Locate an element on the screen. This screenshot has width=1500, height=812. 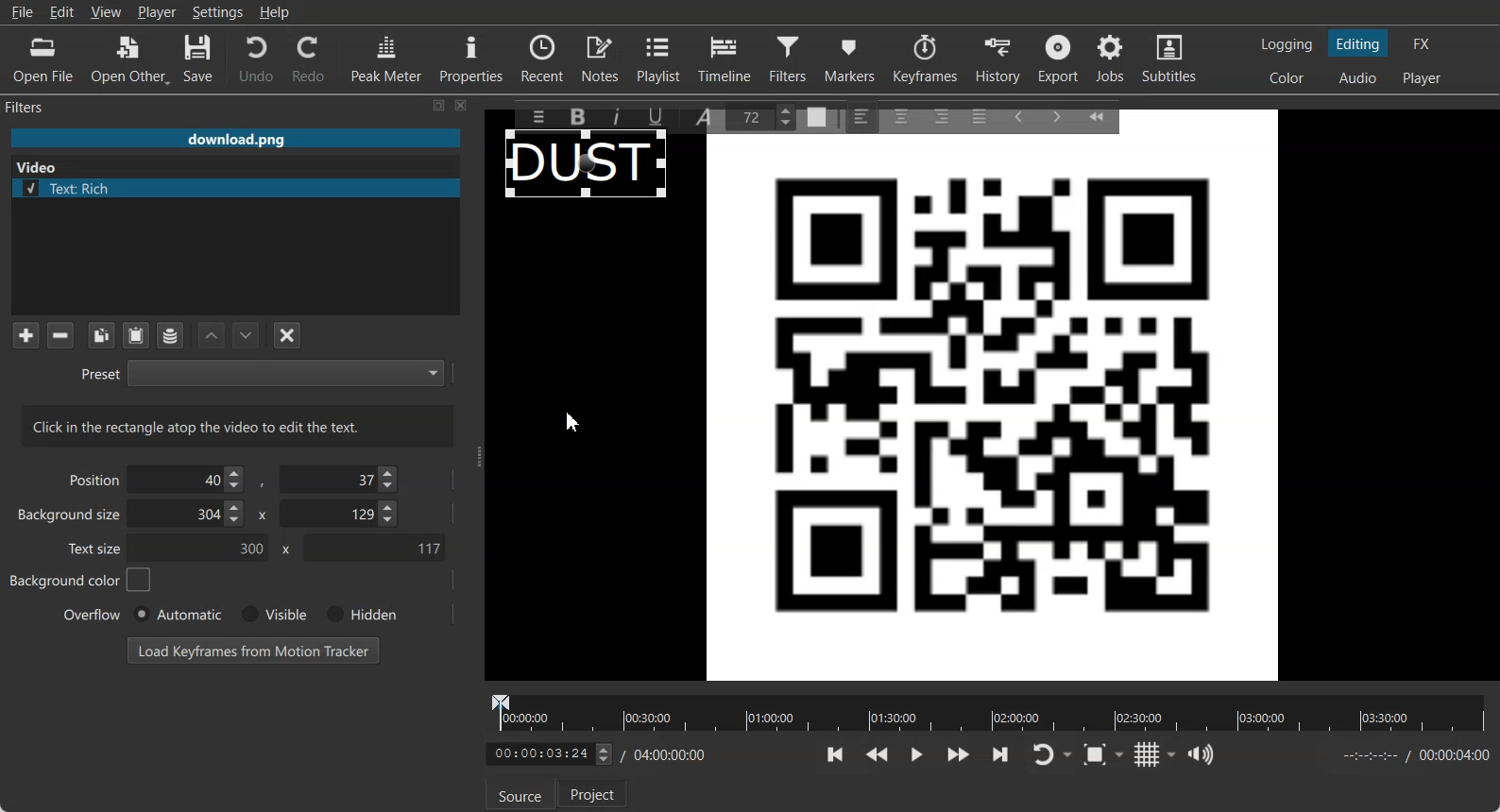
Drop down box is located at coordinates (1069, 755).